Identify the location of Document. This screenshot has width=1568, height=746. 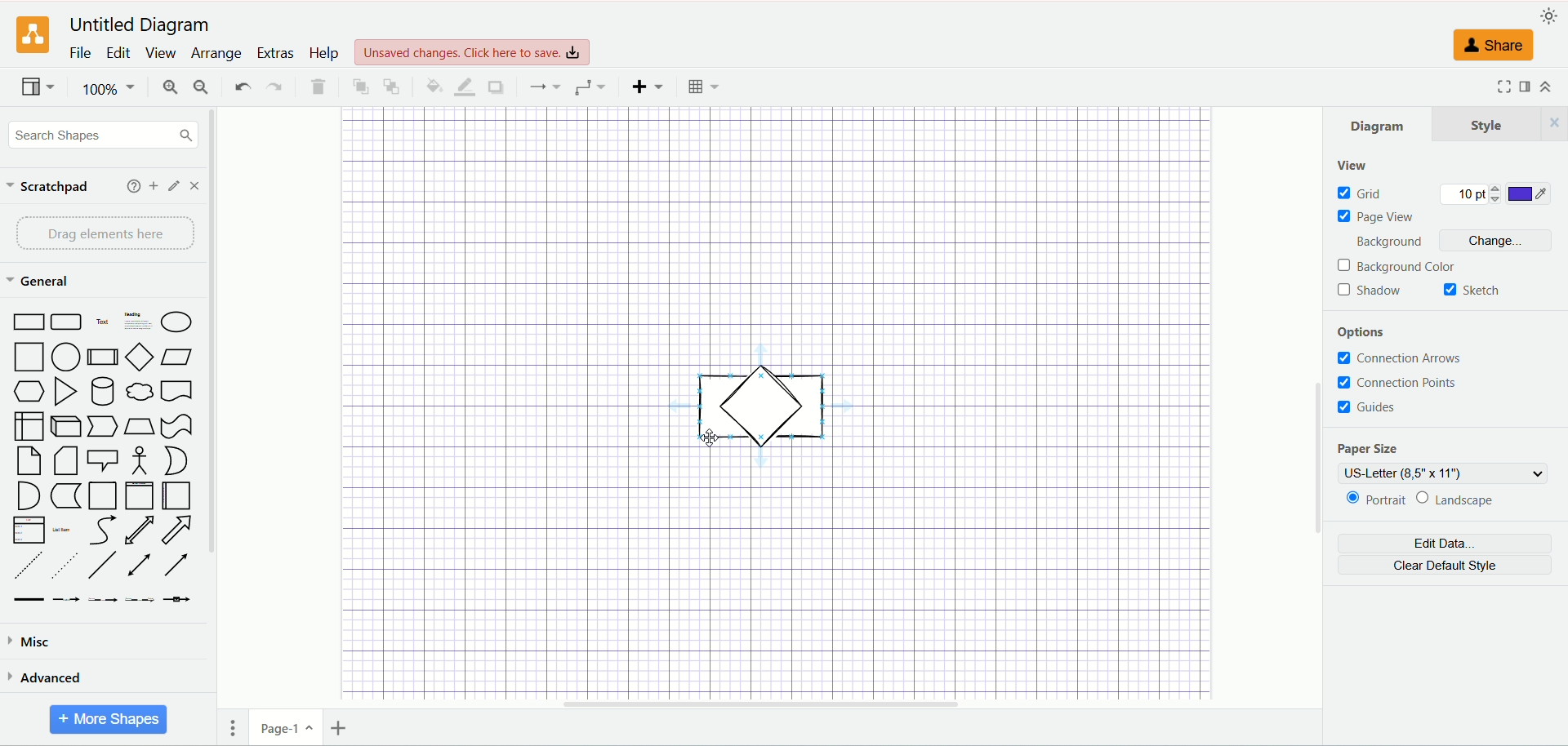
(180, 393).